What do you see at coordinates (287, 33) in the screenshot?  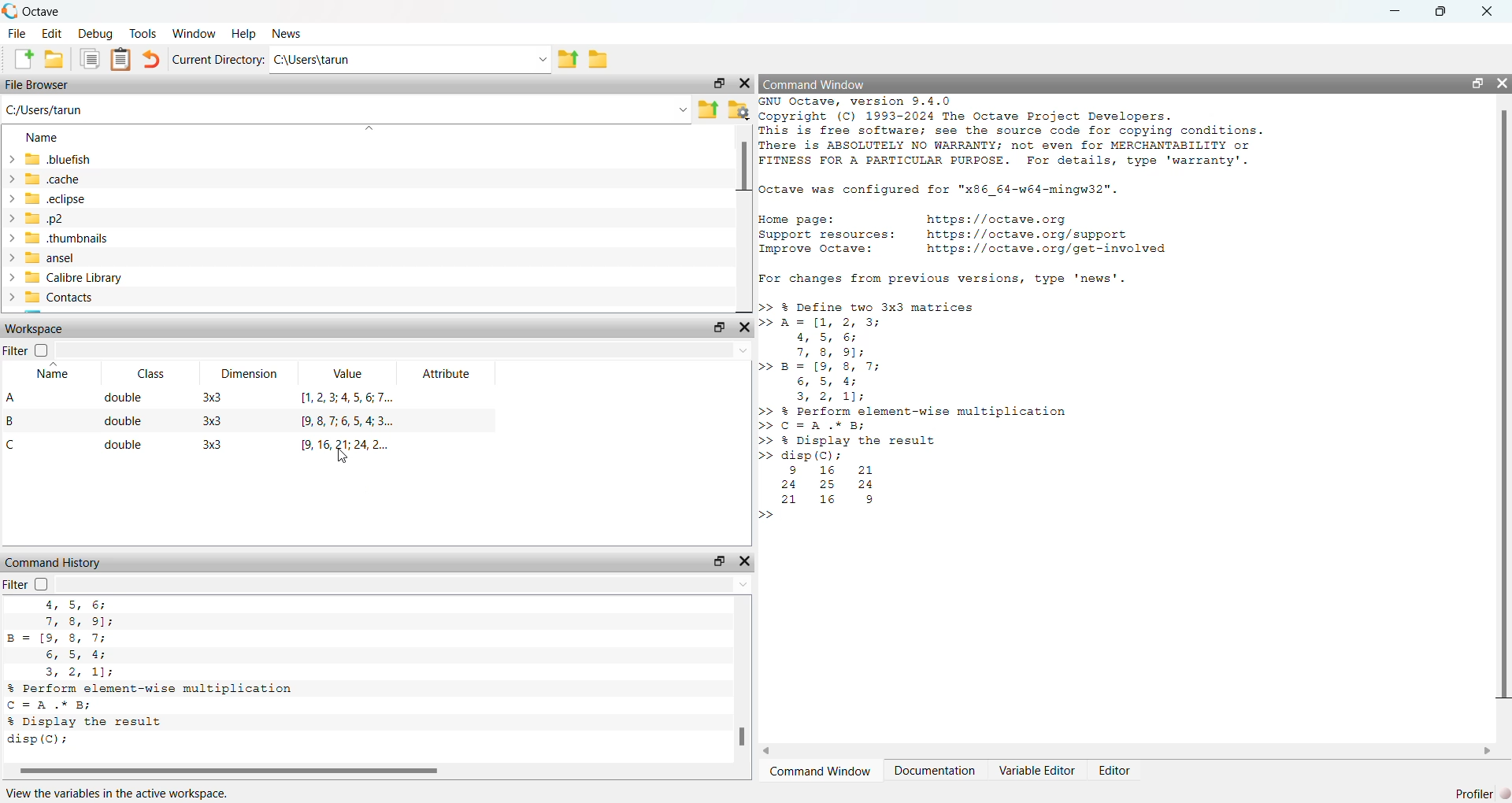 I see `News` at bounding box center [287, 33].